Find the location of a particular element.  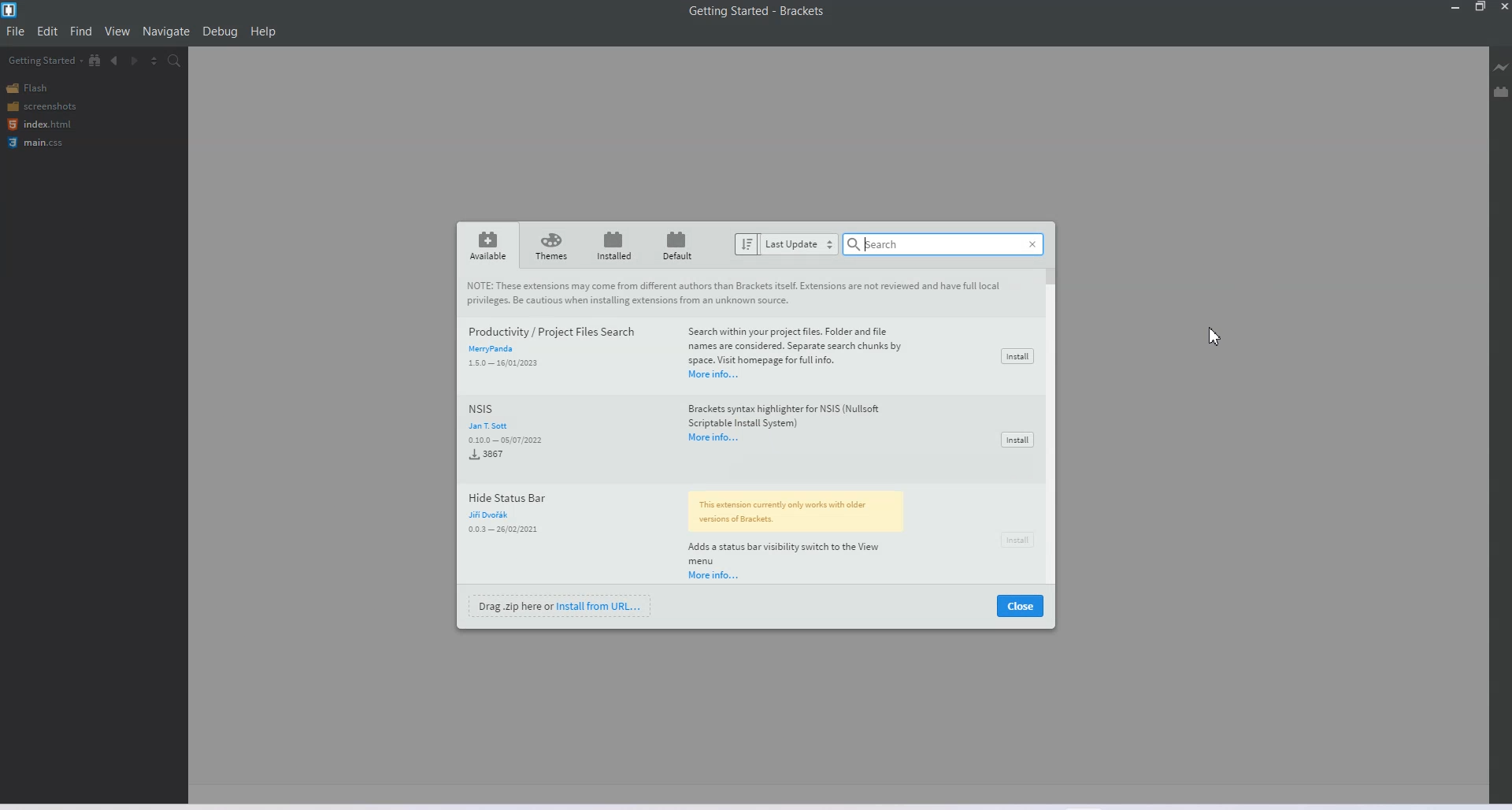

Show file in Tree is located at coordinates (95, 59).